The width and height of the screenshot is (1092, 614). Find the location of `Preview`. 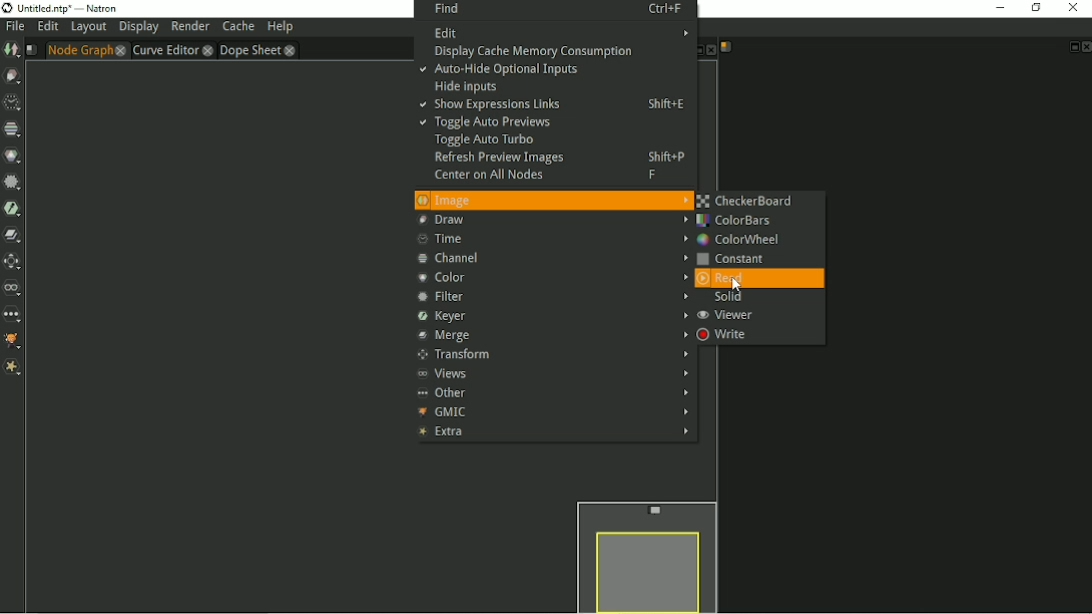

Preview is located at coordinates (644, 554).